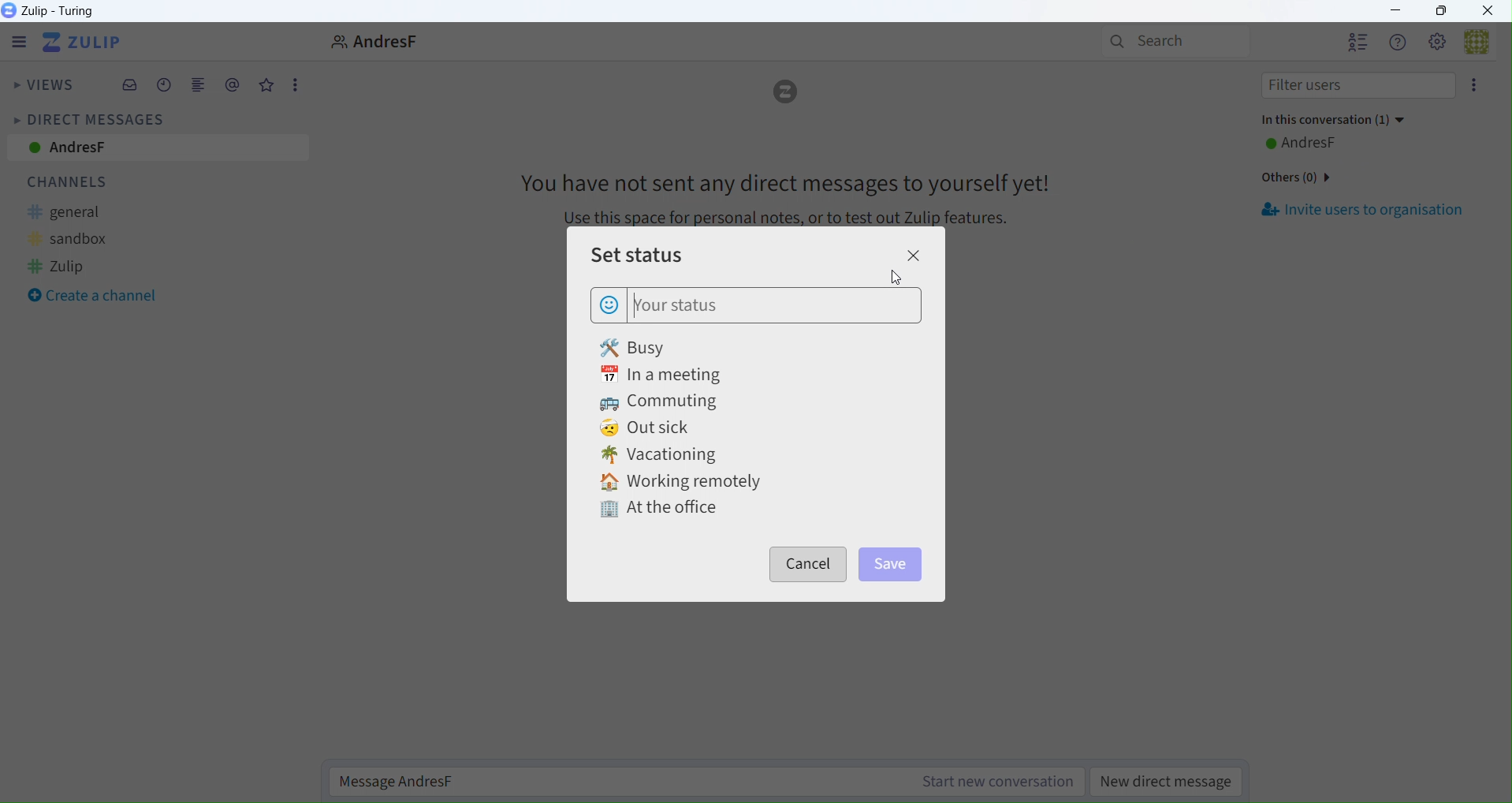 Image resolution: width=1512 pixels, height=803 pixels. Describe the element at coordinates (73, 267) in the screenshot. I see `Zulip` at that location.